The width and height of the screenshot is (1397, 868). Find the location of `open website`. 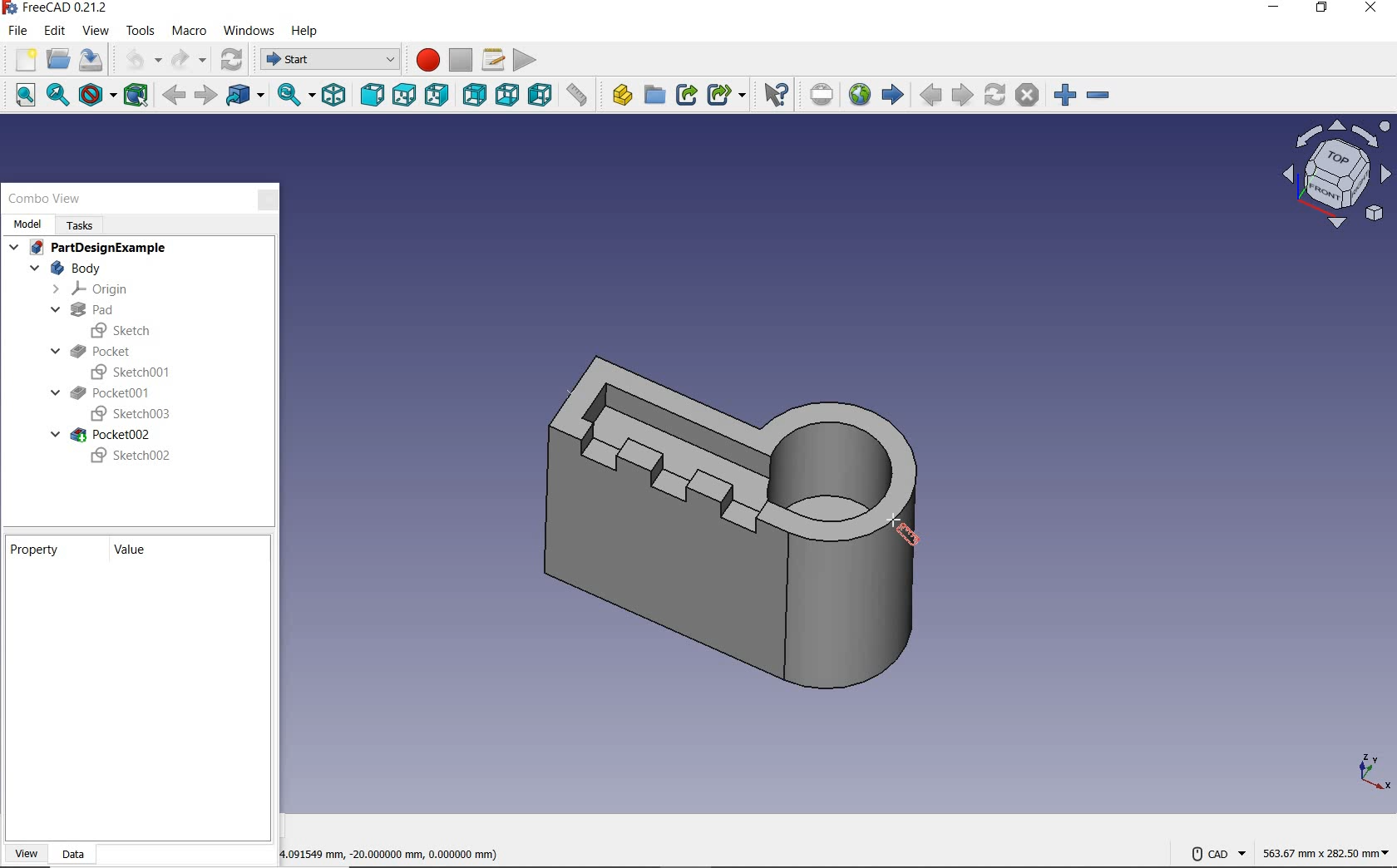

open website is located at coordinates (859, 94).